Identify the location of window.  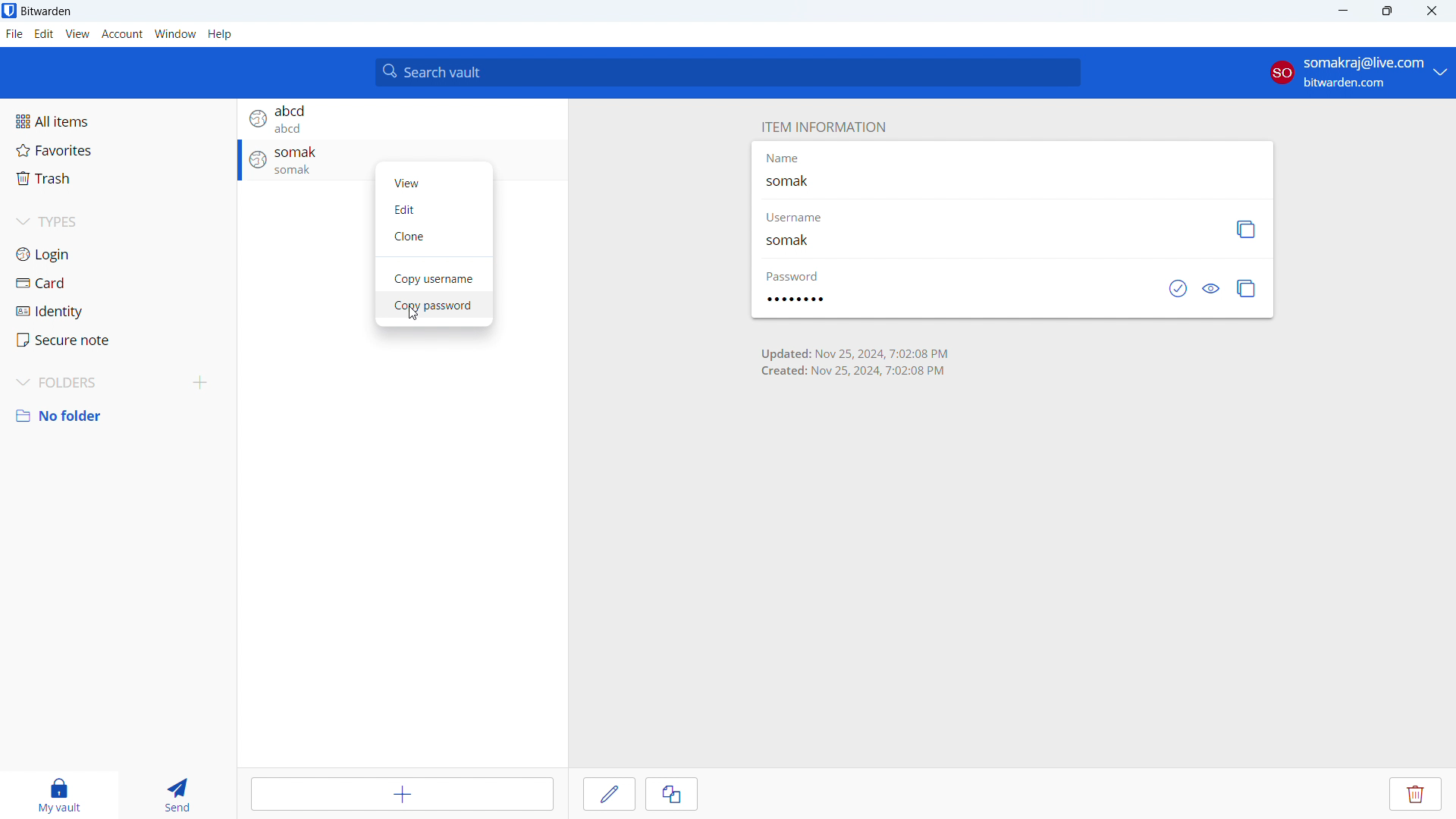
(175, 34).